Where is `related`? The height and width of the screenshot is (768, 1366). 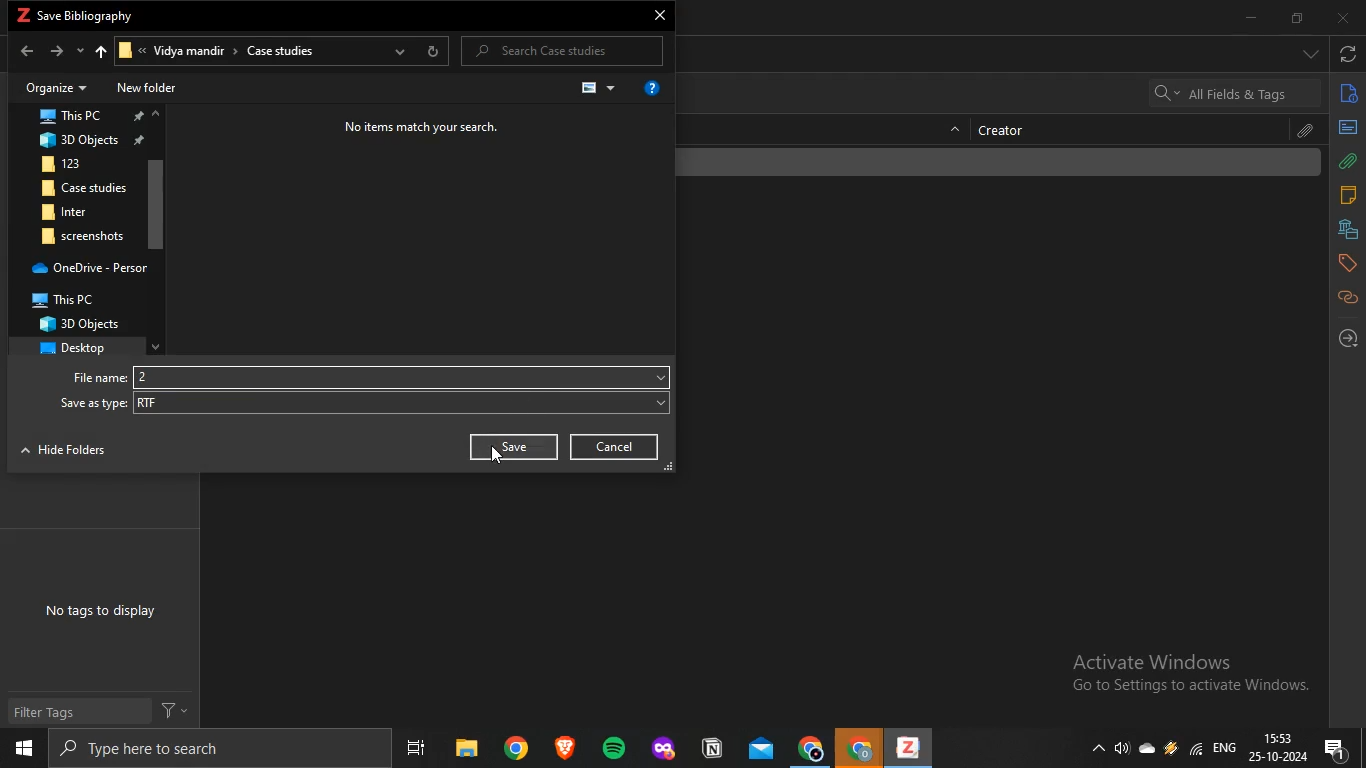
related is located at coordinates (1347, 298).